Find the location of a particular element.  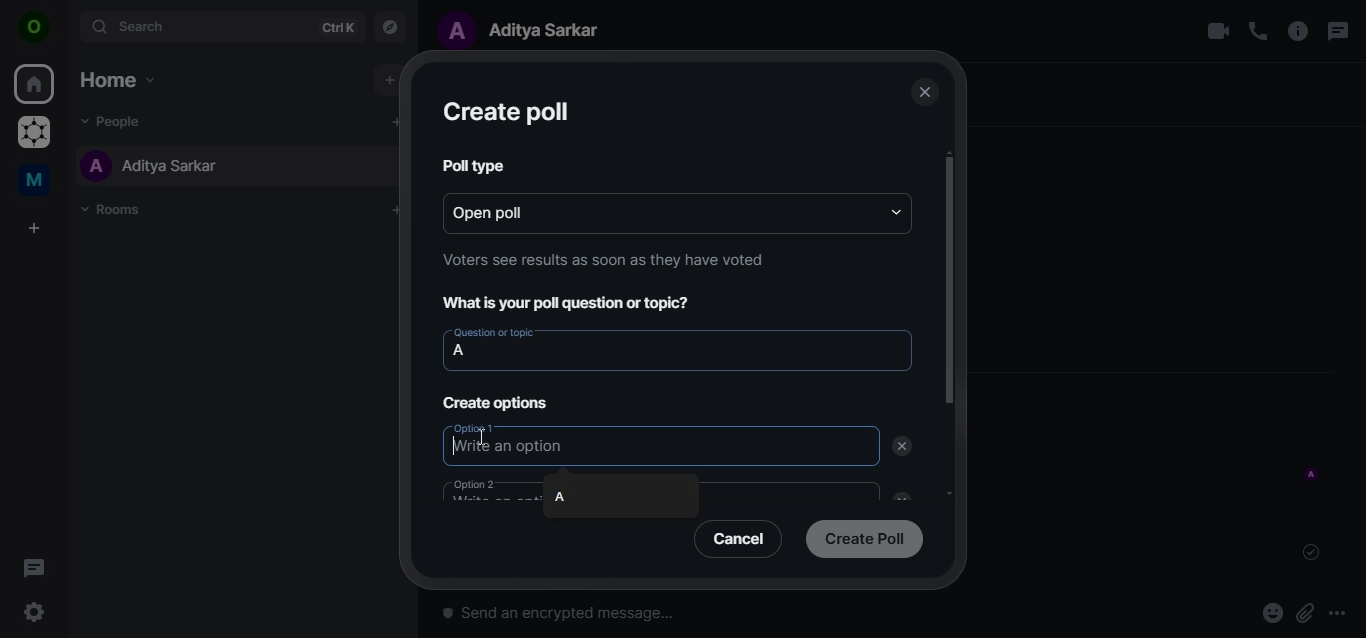

Option 1 is located at coordinates (477, 427).